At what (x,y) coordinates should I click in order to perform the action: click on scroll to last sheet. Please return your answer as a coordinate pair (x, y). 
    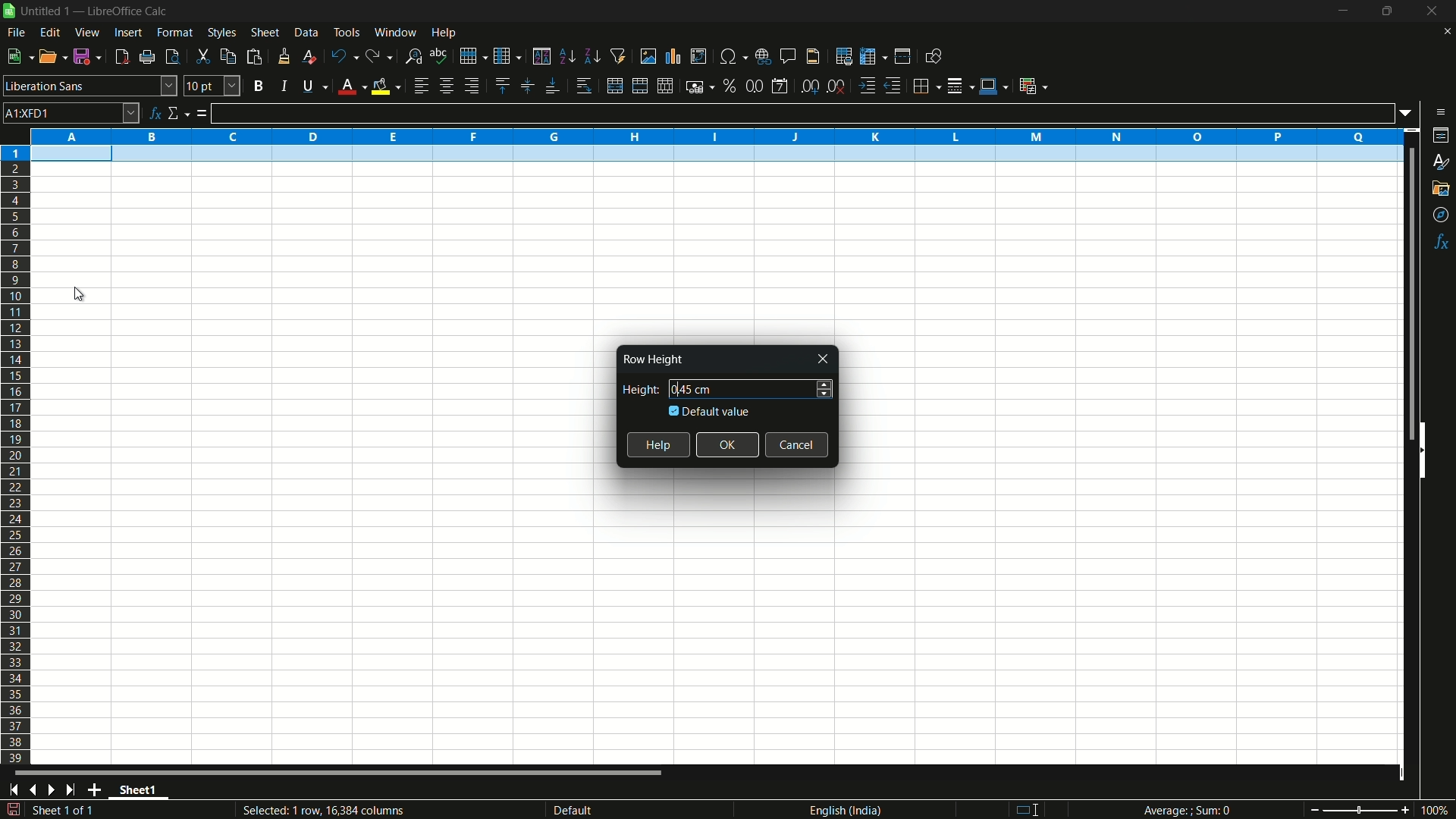
    Looking at the image, I should click on (75, 790).